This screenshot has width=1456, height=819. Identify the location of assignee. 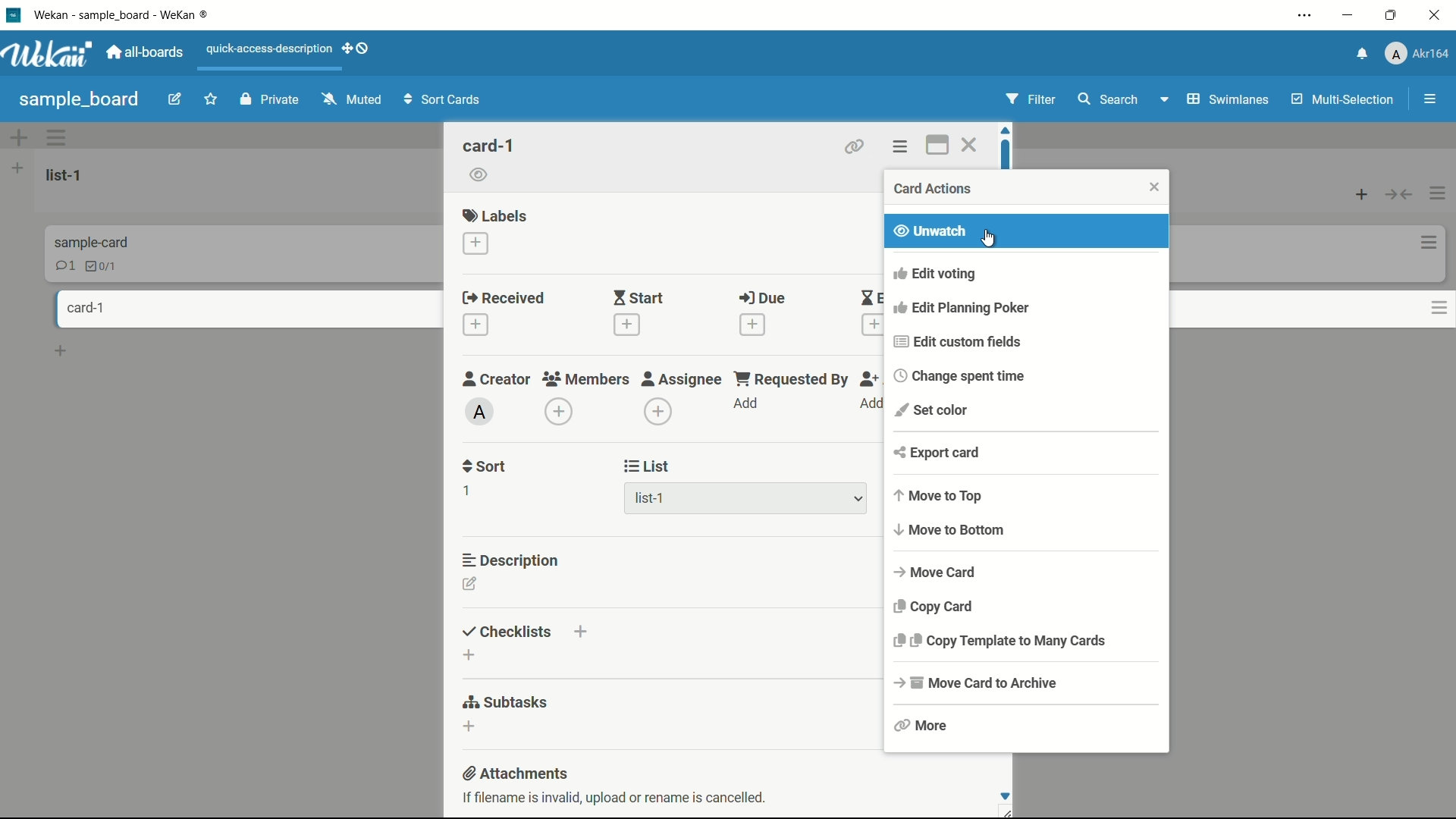
(683, 380).